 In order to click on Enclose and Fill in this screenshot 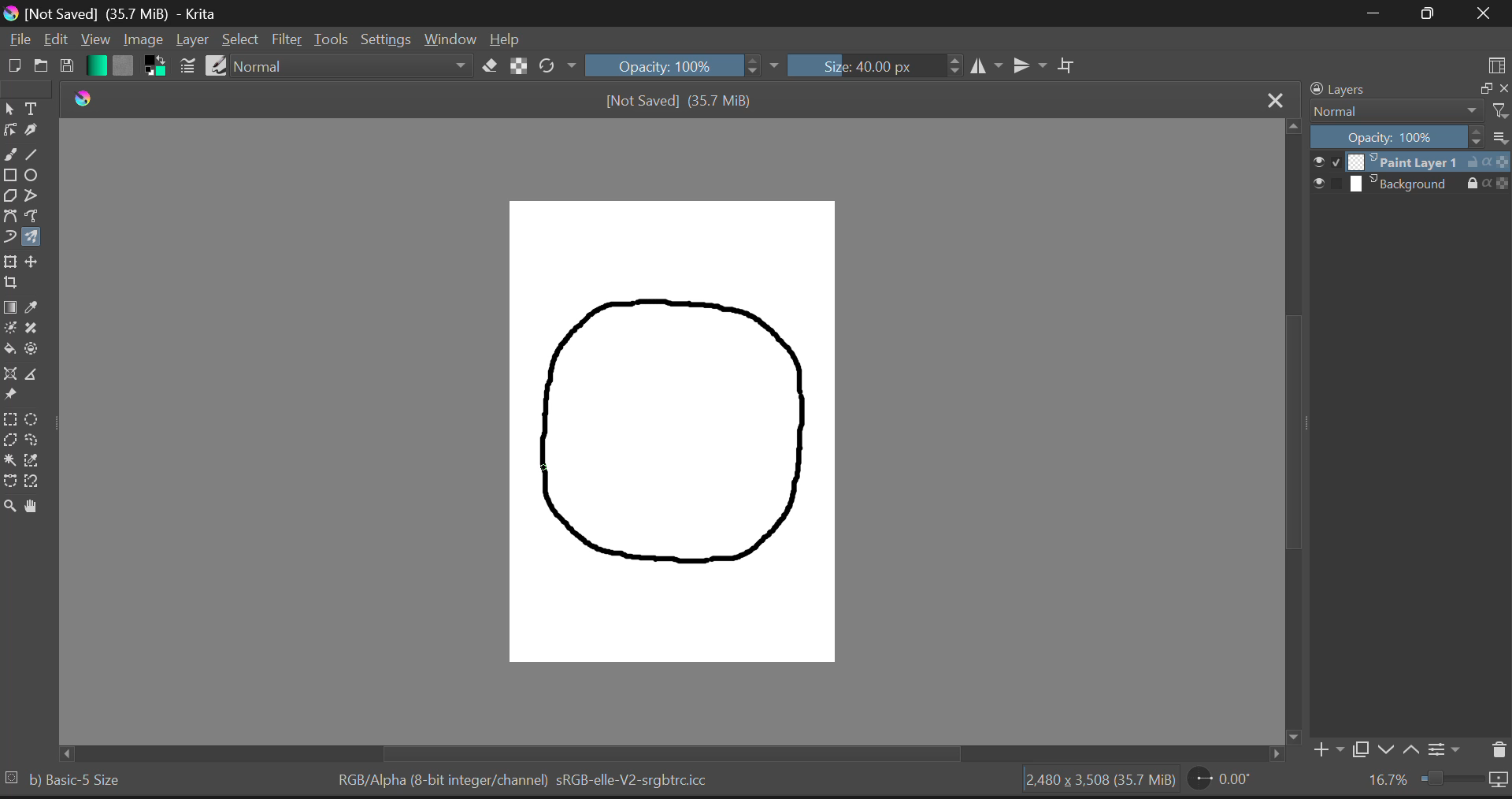, I will do `click(34, 351)`.